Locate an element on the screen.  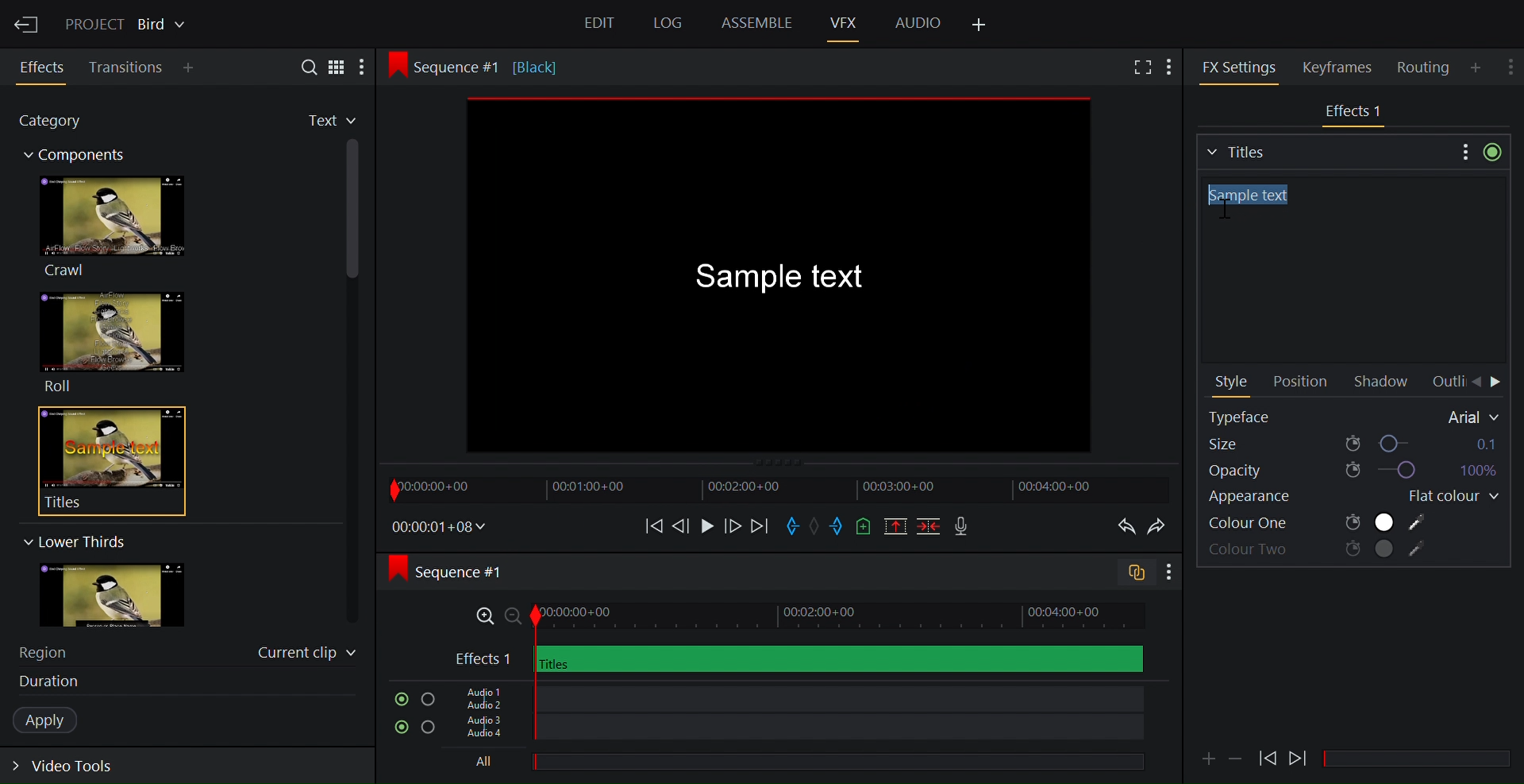
 is located at coordinates (54, 681).